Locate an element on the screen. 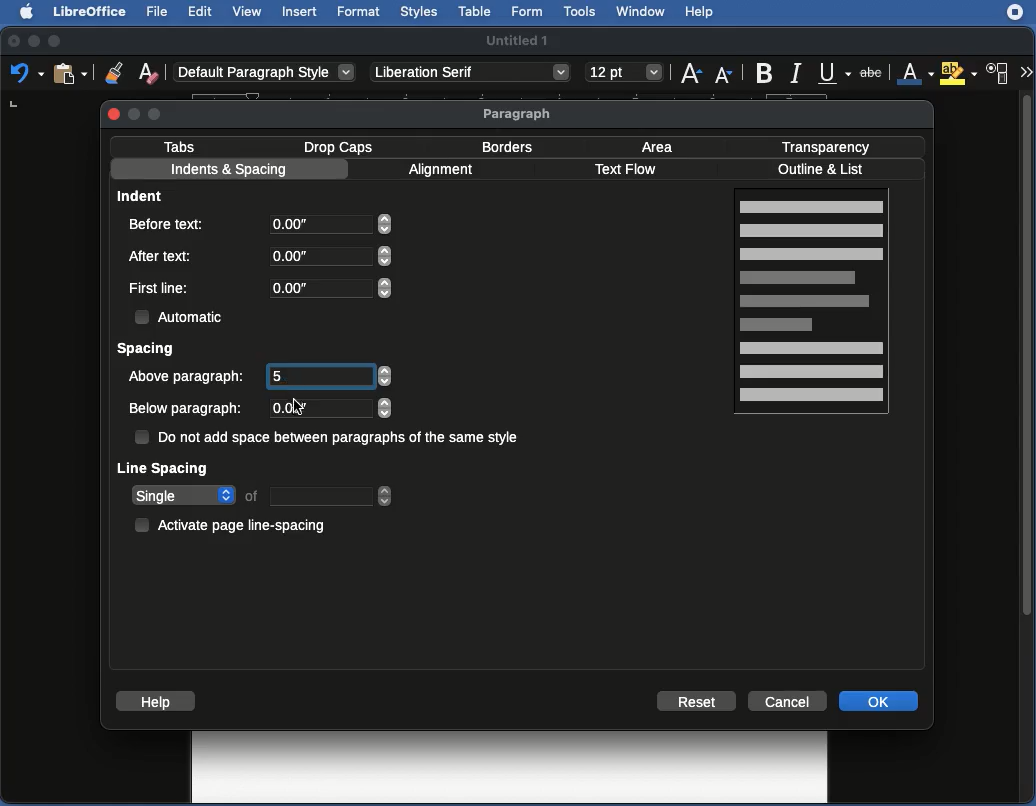 Image resolution: width=1036 pixels, height=806 pixels. Spacing is located at coordinates (147, 350).